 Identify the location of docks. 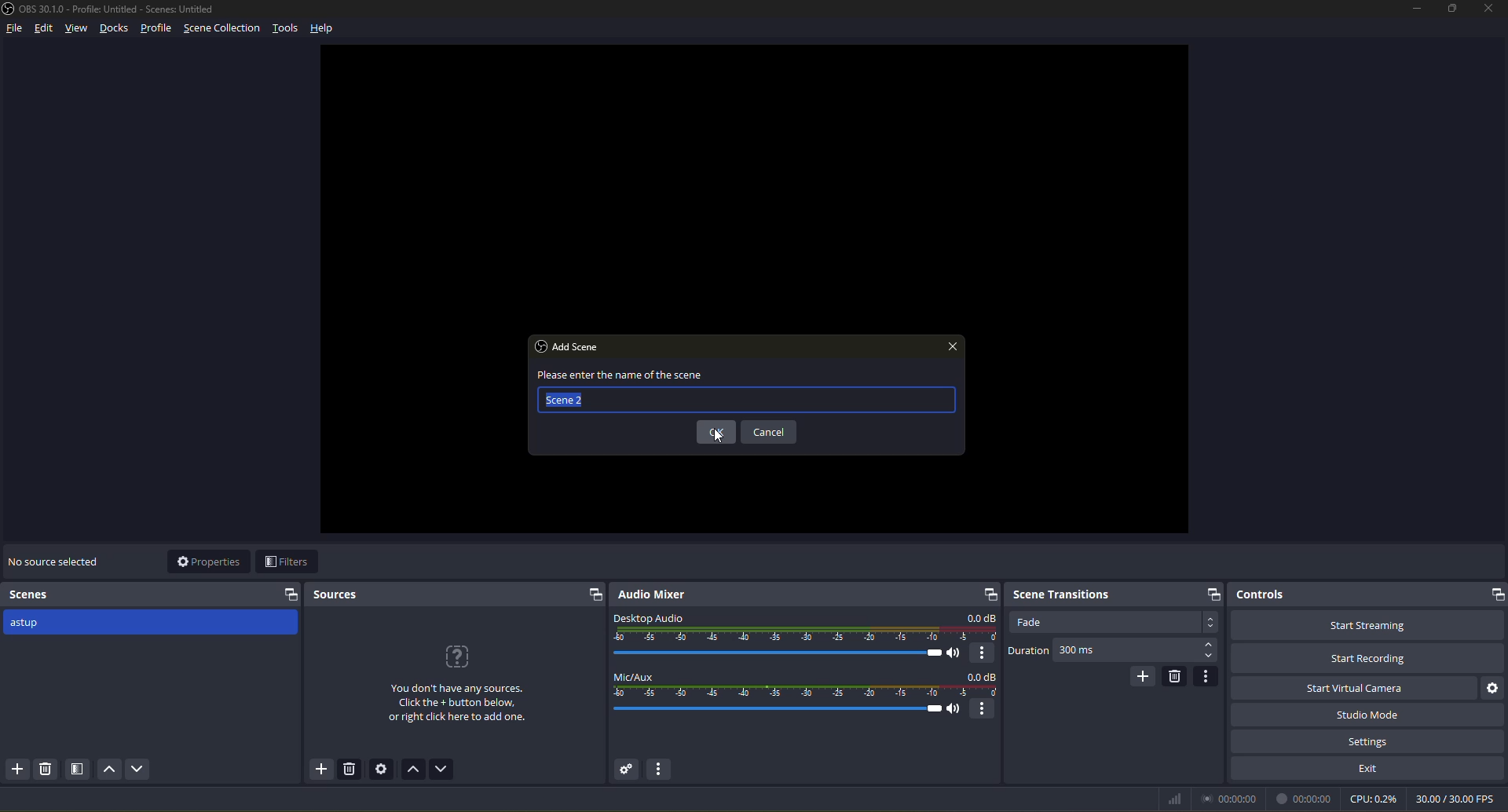
(114, 30).